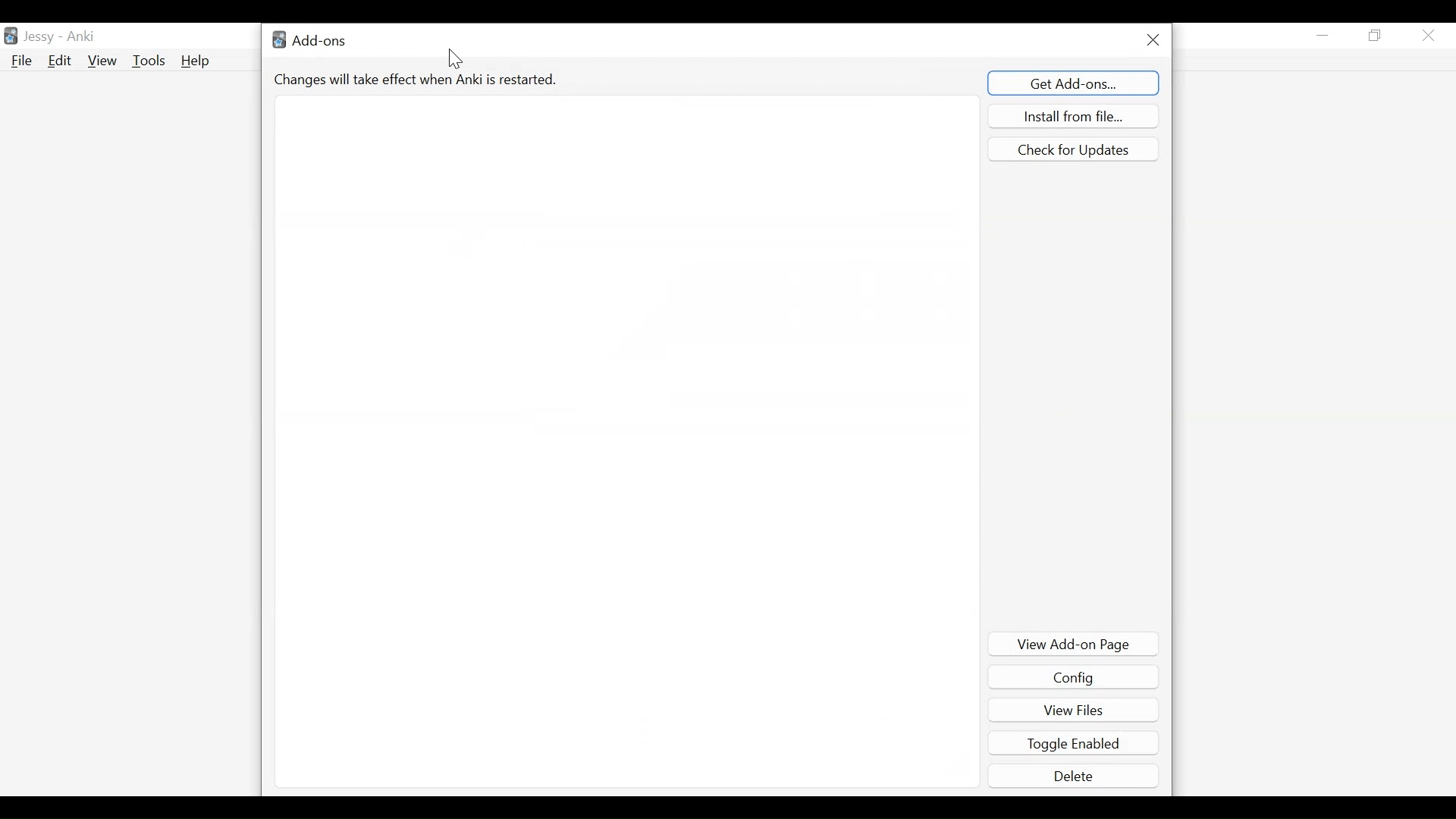  What do you see at coordinates (148, 61) in the screenshot?
I see `Tools` at bounding box center [148, 61].